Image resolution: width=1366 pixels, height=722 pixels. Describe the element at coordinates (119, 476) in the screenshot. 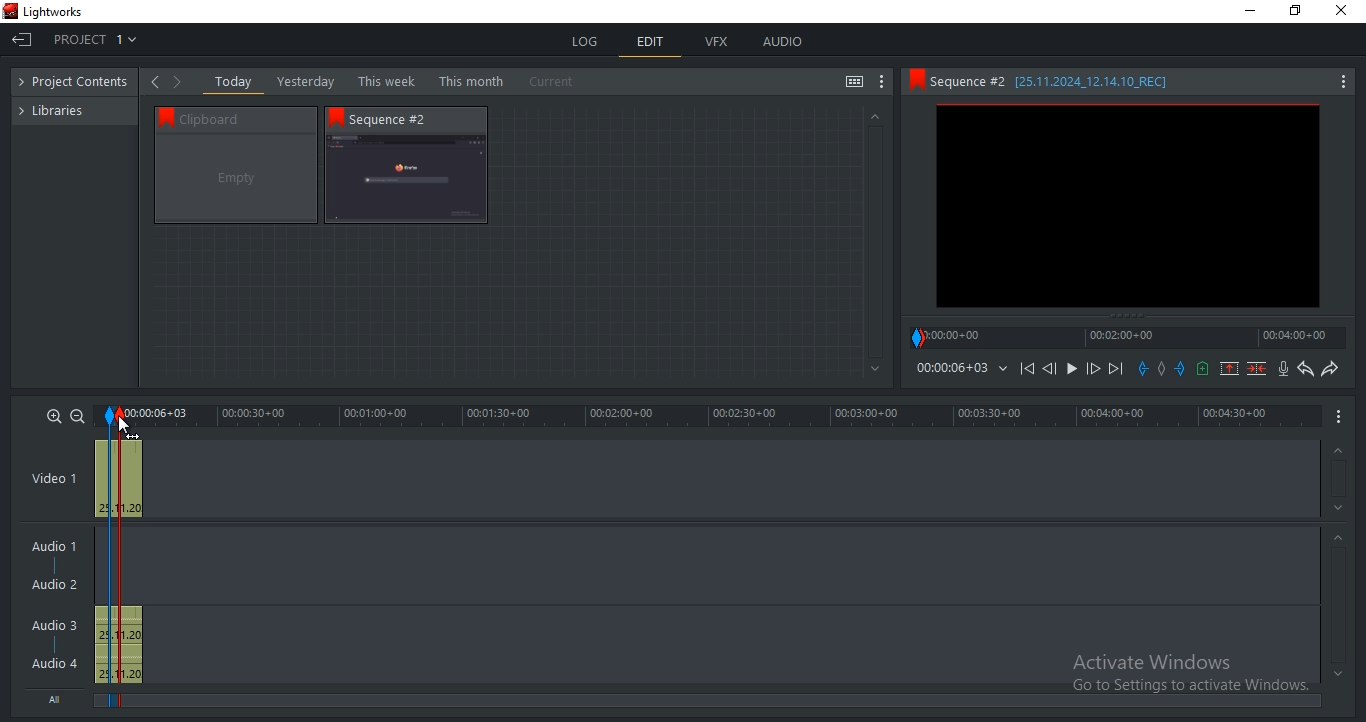

I see `video` at that location.